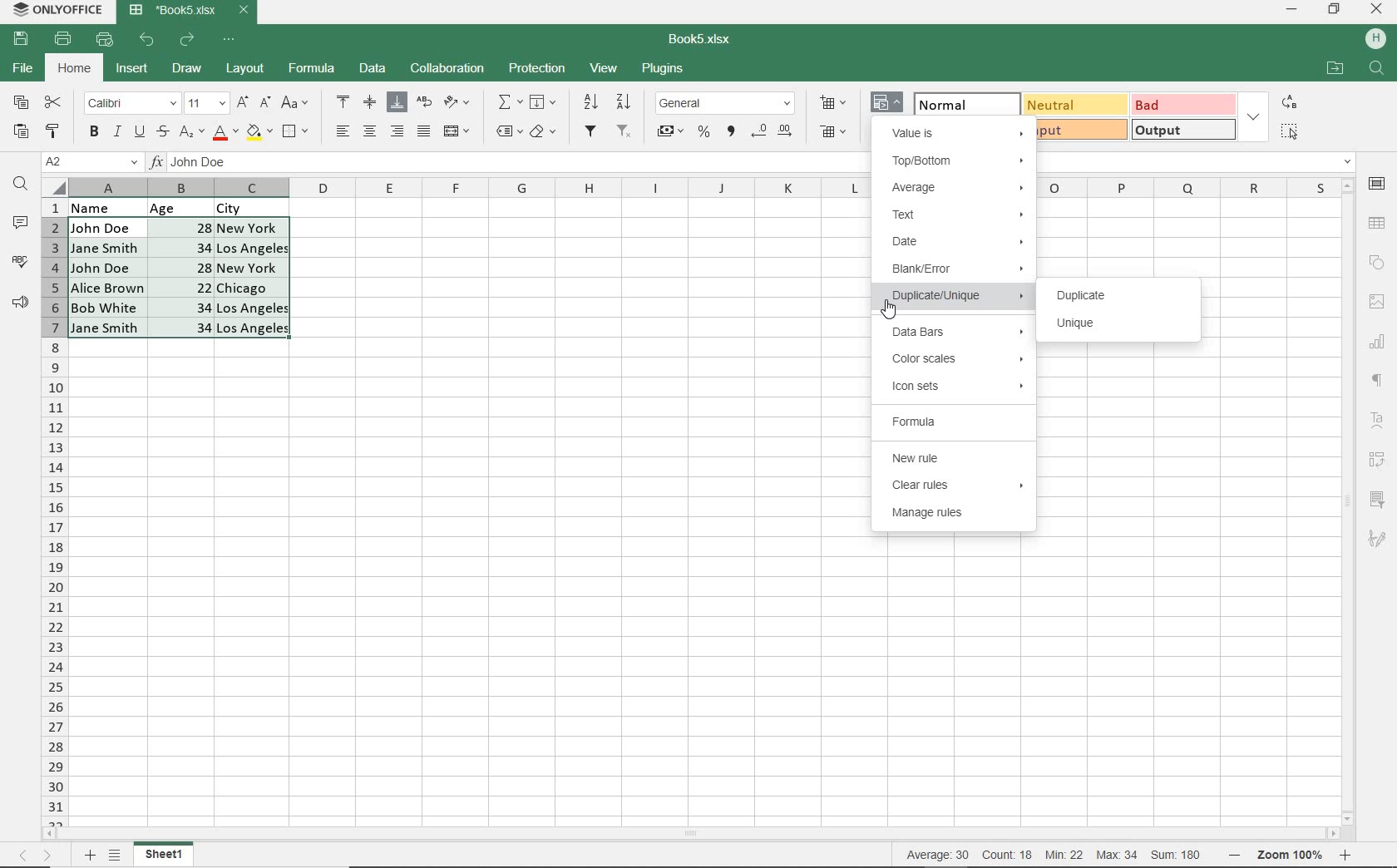 The height and width of the screenshot is (868, 1397). What do you see at coordinates (1377, 538) in the screenshot?
I see `SIGNATURE` at bounding box center [1377, 538].